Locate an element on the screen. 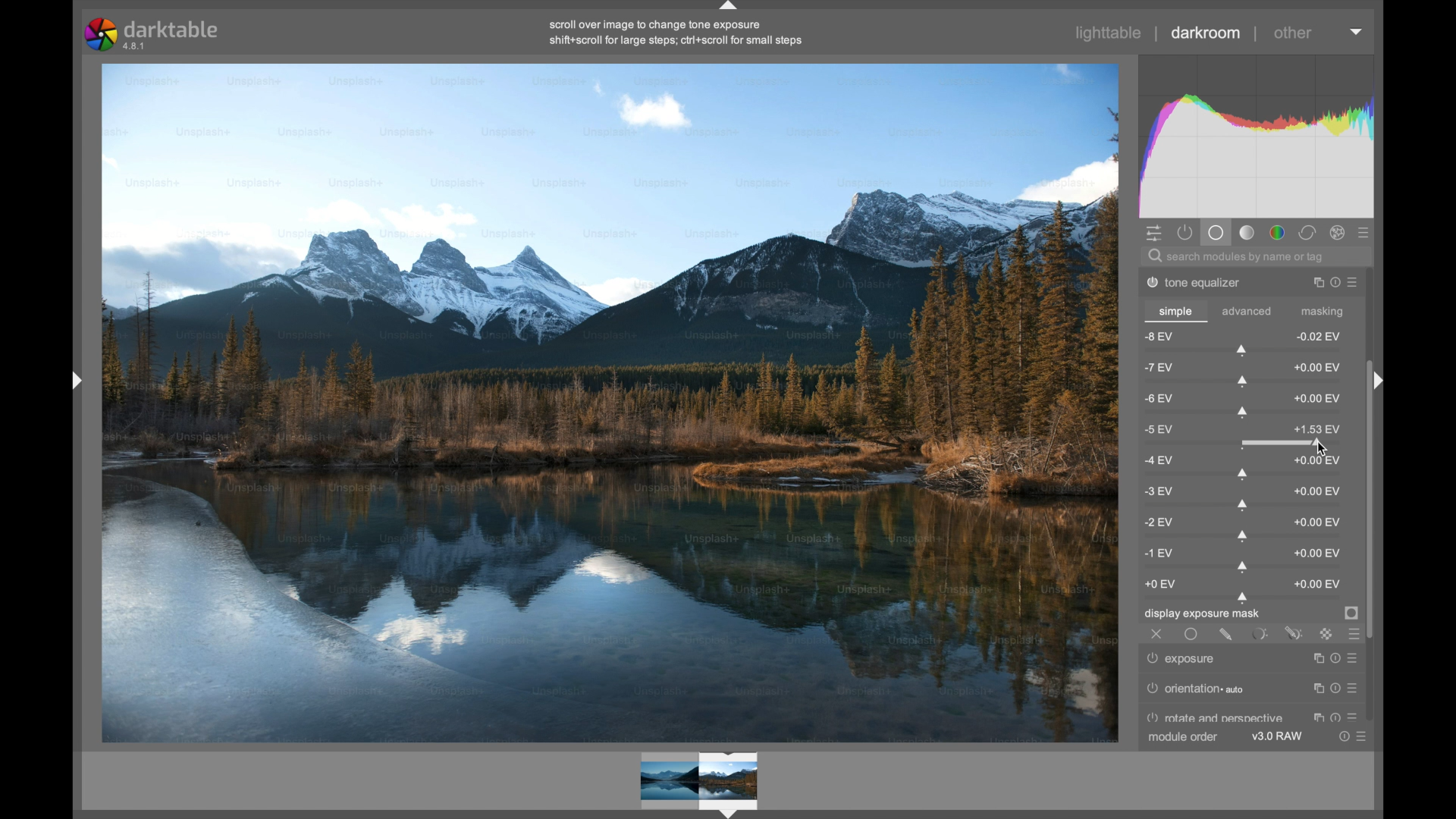  search modules by name or tag is located at coordinates (1238, 258).